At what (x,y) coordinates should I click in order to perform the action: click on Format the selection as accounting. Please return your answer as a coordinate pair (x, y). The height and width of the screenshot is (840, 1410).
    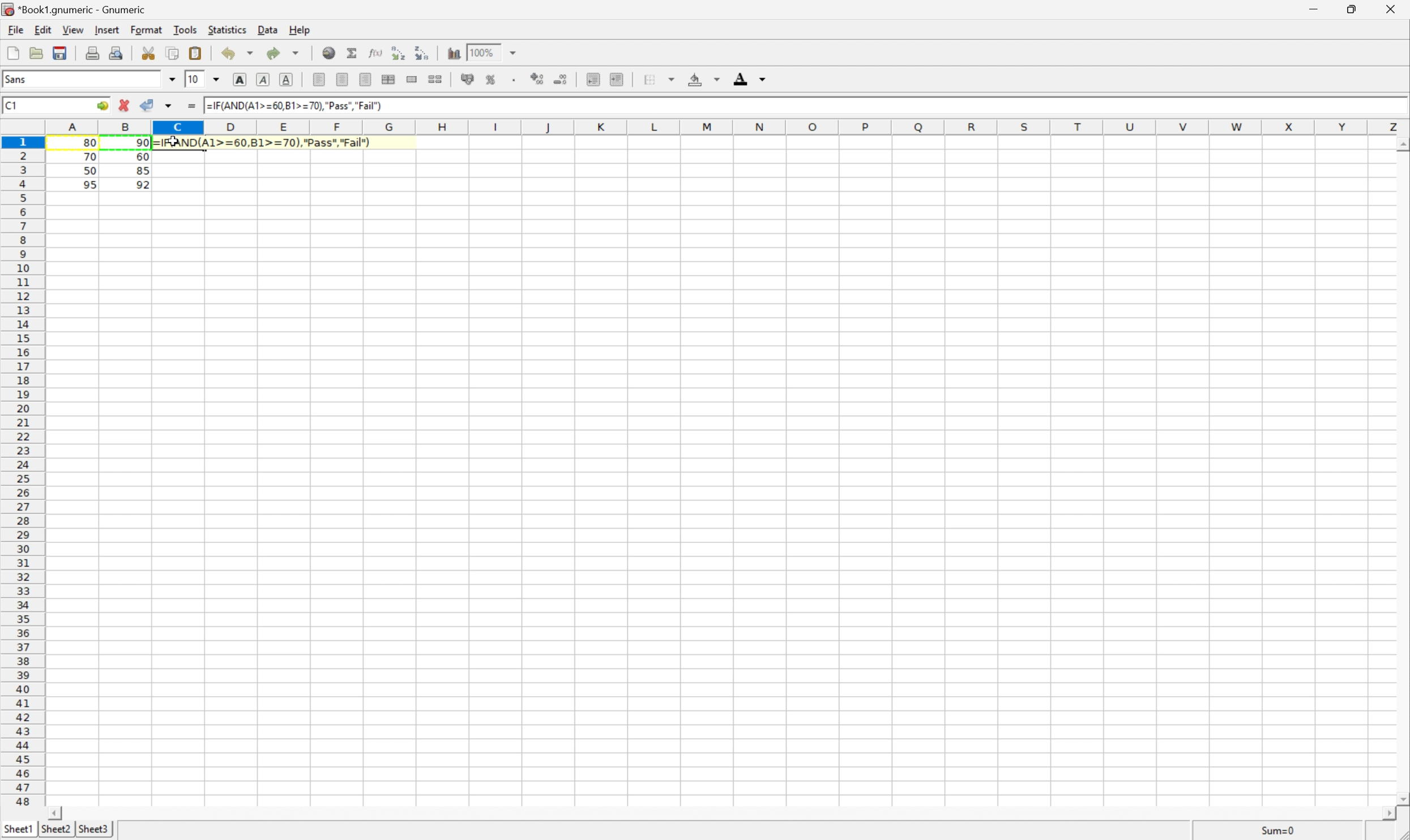
    Looking at the image, I should click on (467, 79).